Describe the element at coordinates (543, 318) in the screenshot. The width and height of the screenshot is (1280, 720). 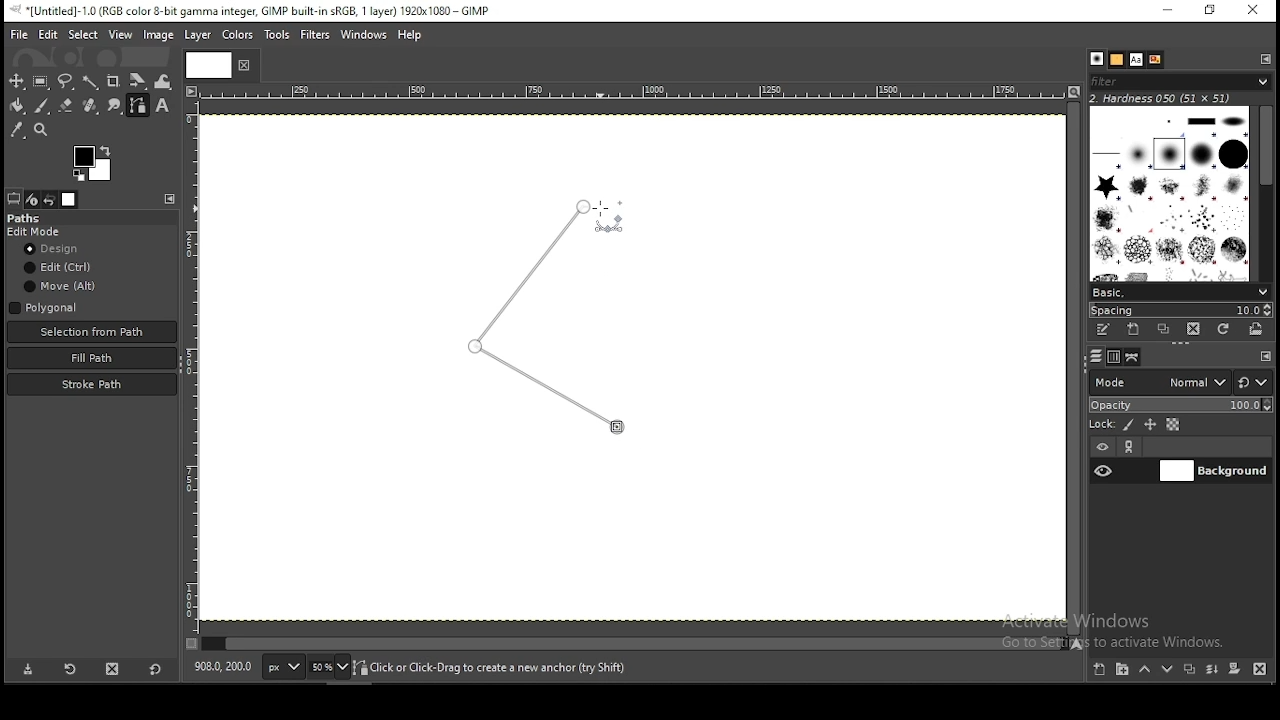
I see `active path` at that location.